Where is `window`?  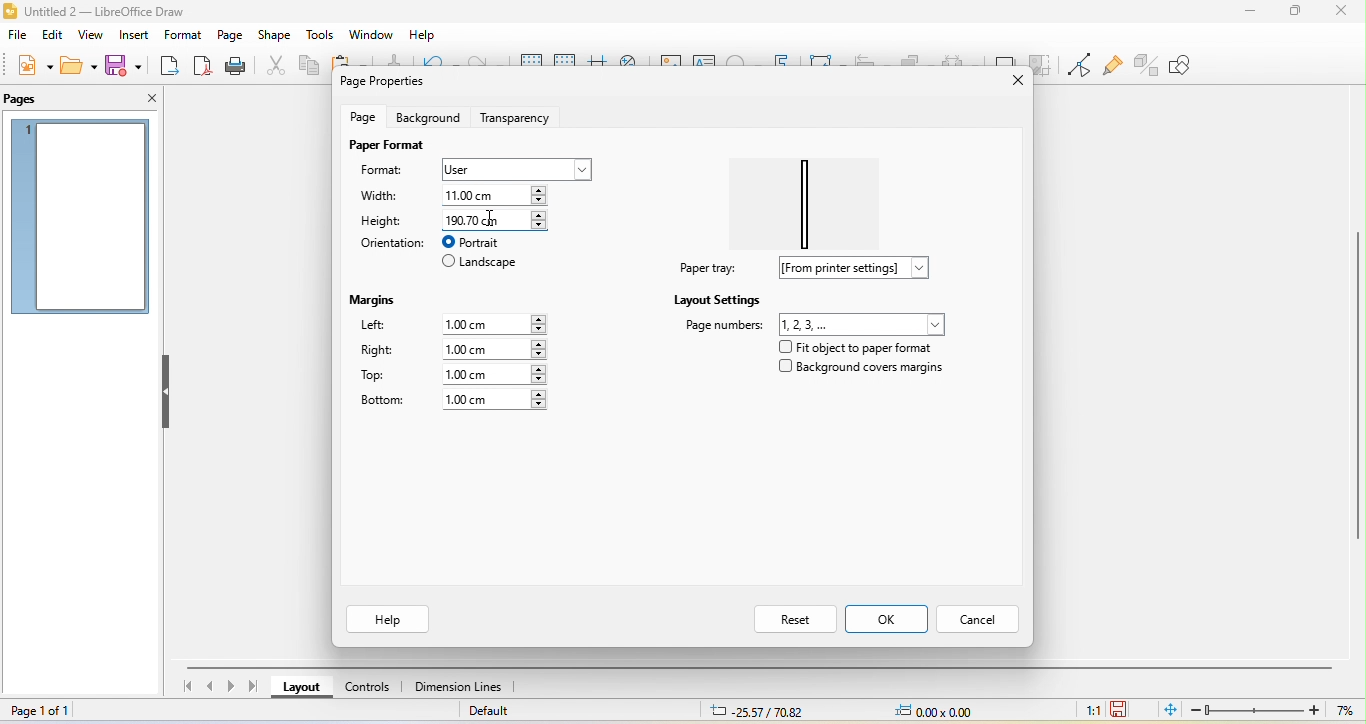
window is located at coordinates (371, 35).